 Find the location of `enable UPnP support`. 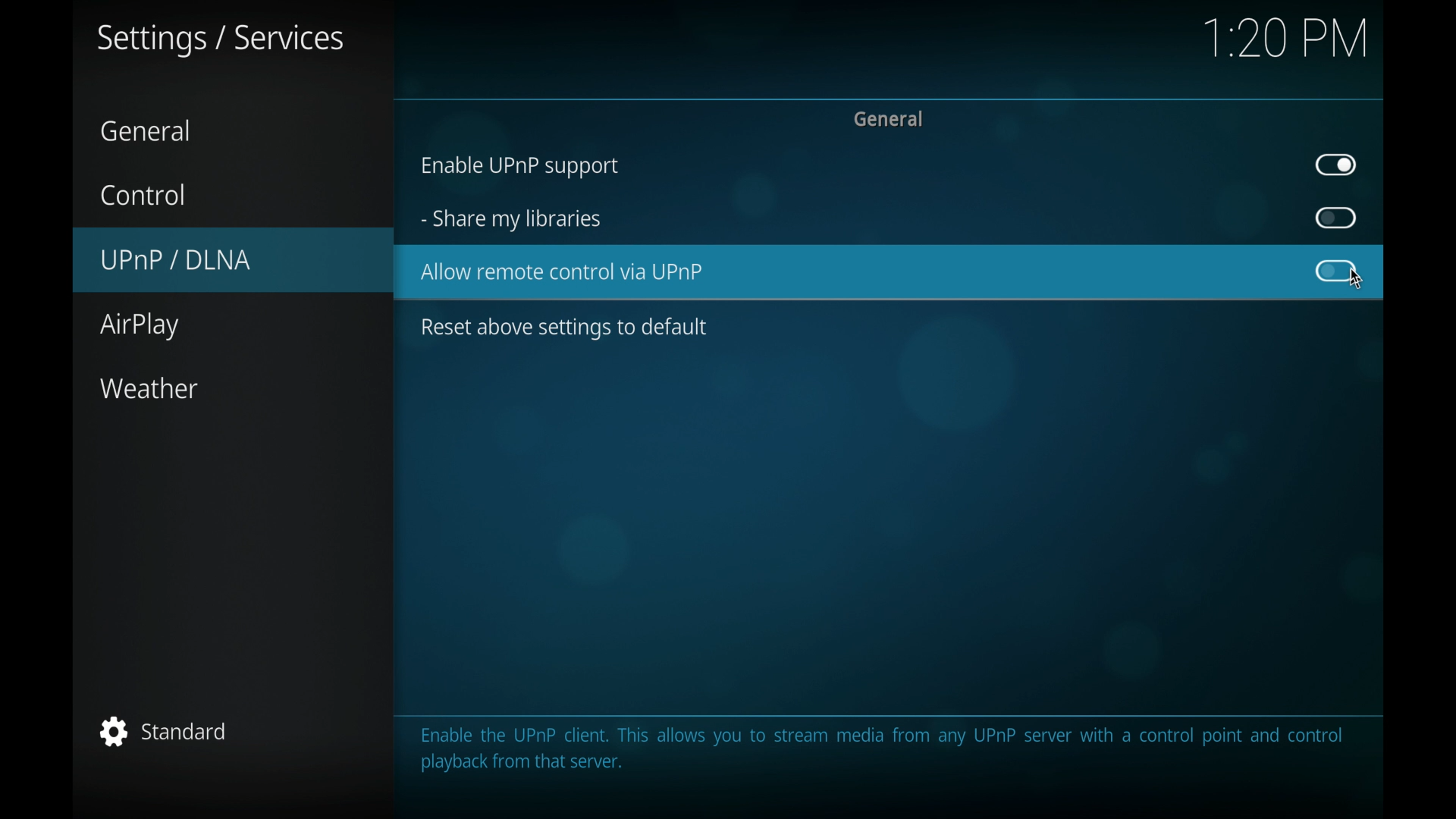

enable UPnP support is located at coordinates (519, 168).